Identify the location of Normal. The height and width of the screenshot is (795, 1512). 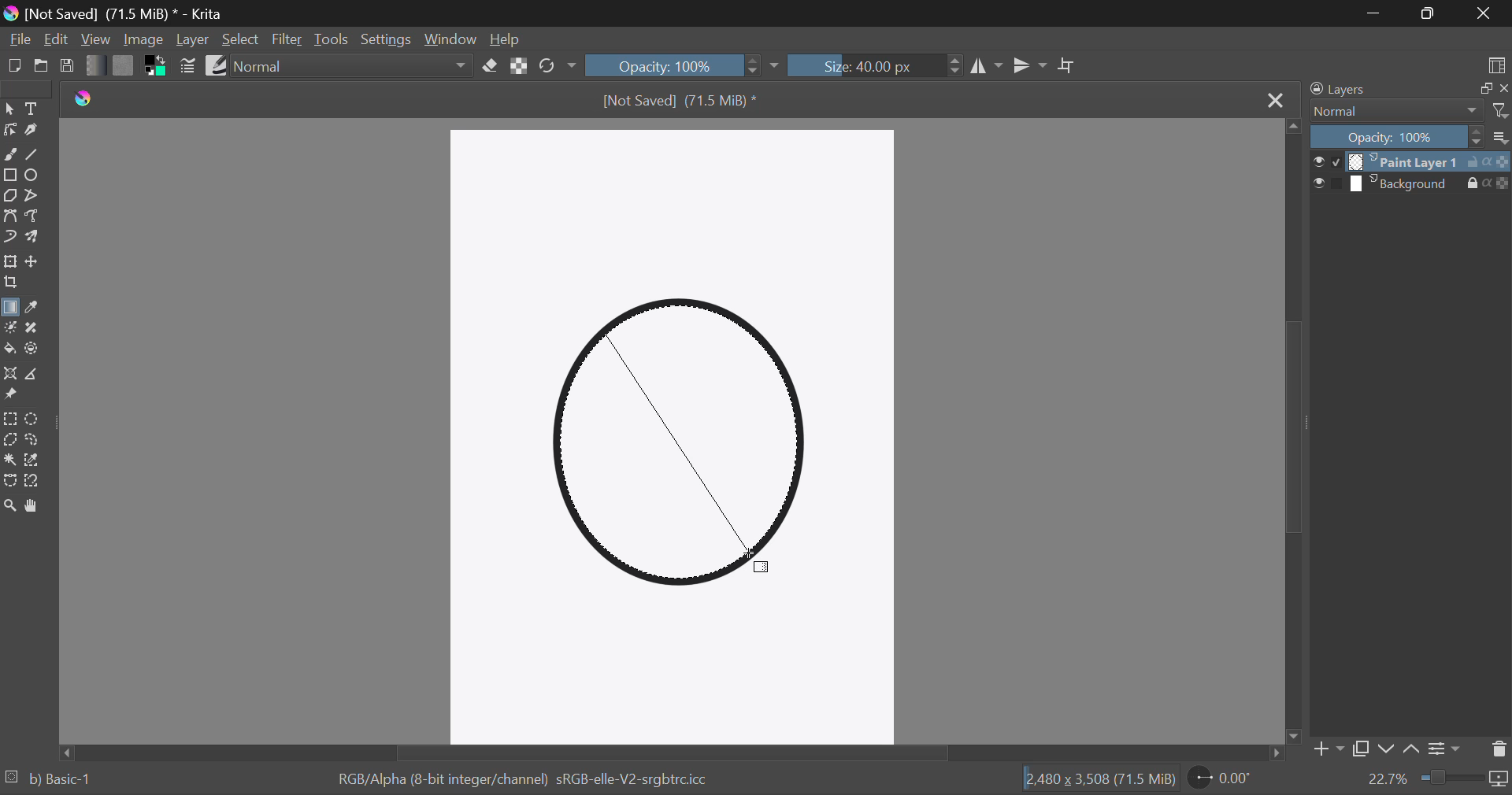
(1395, 112).